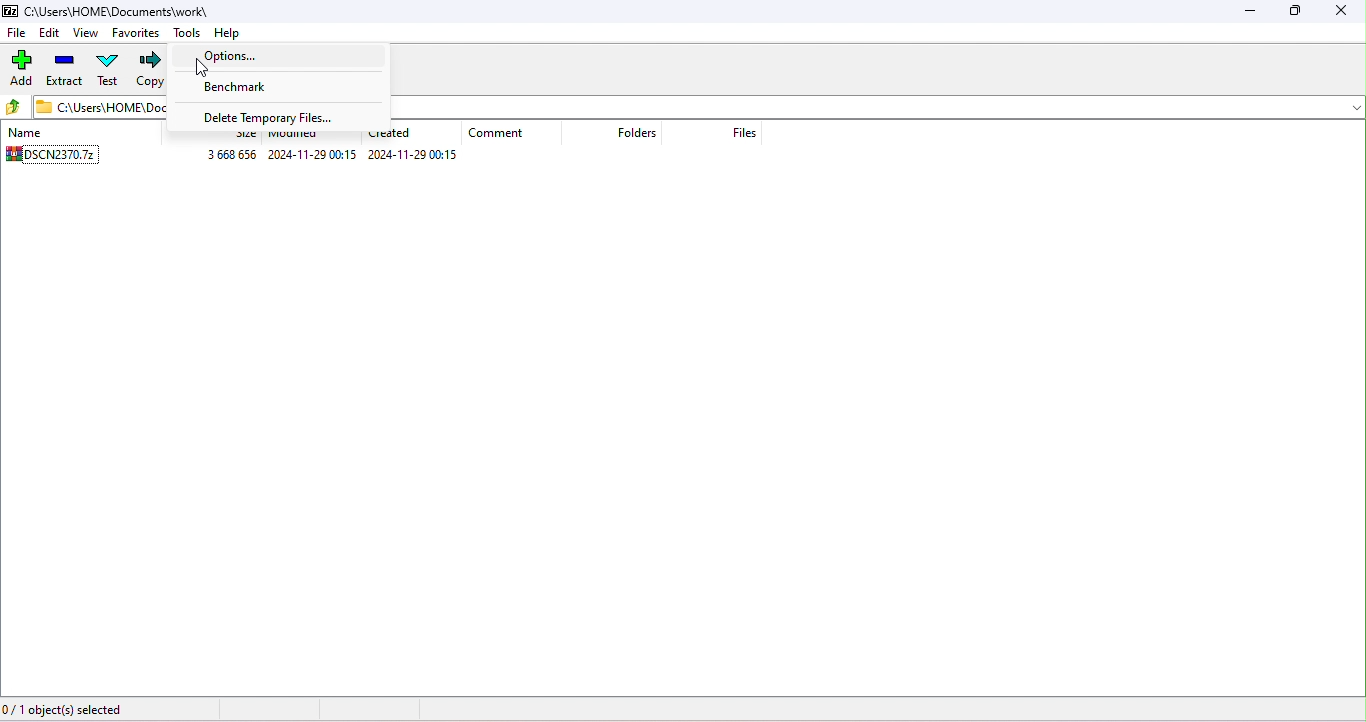  Describe the element at coordinates (205, 70) in the screenshot. I see `cursor` at that location.